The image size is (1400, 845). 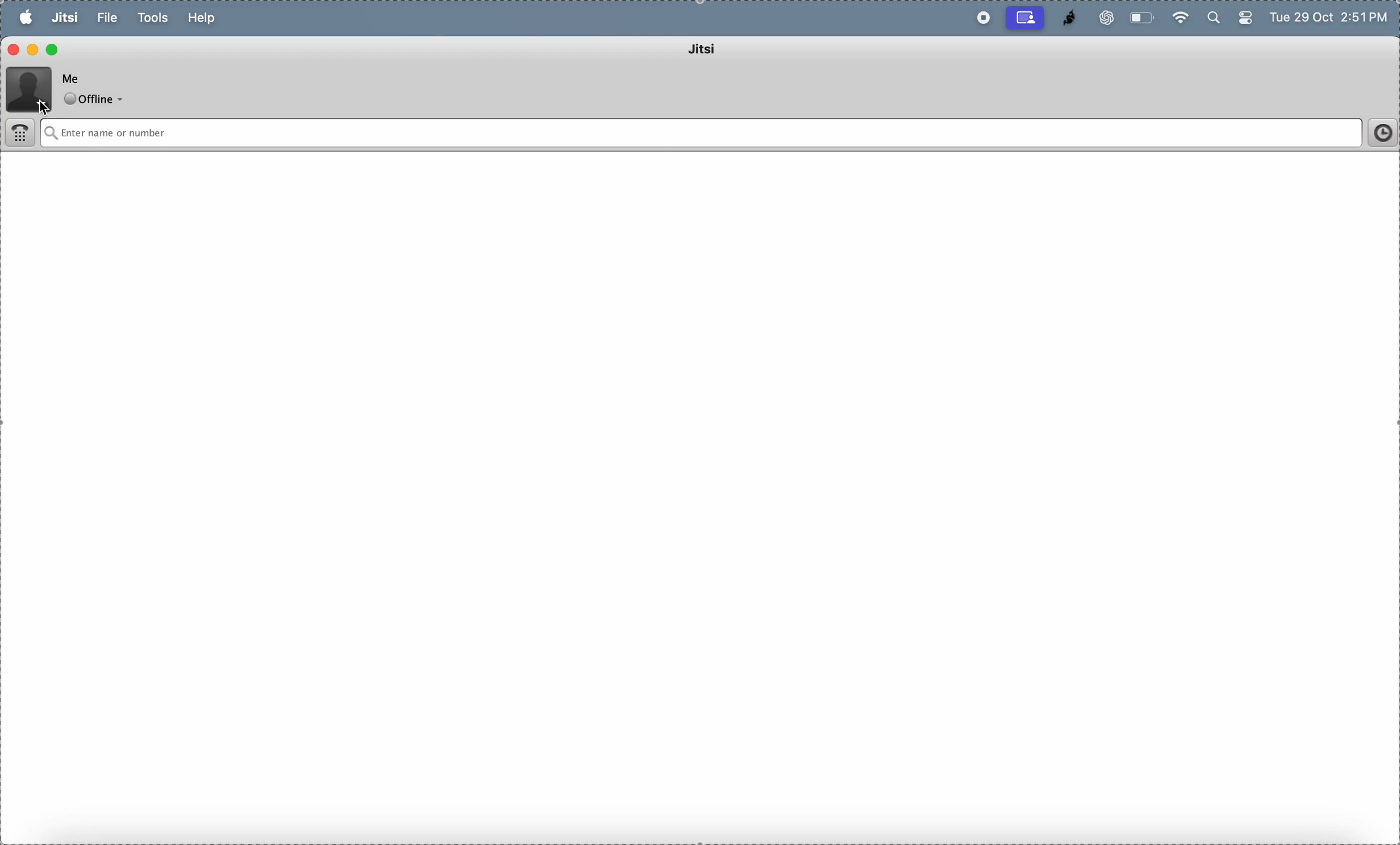 I want to click on apple menu, so click(x=26, y=17).